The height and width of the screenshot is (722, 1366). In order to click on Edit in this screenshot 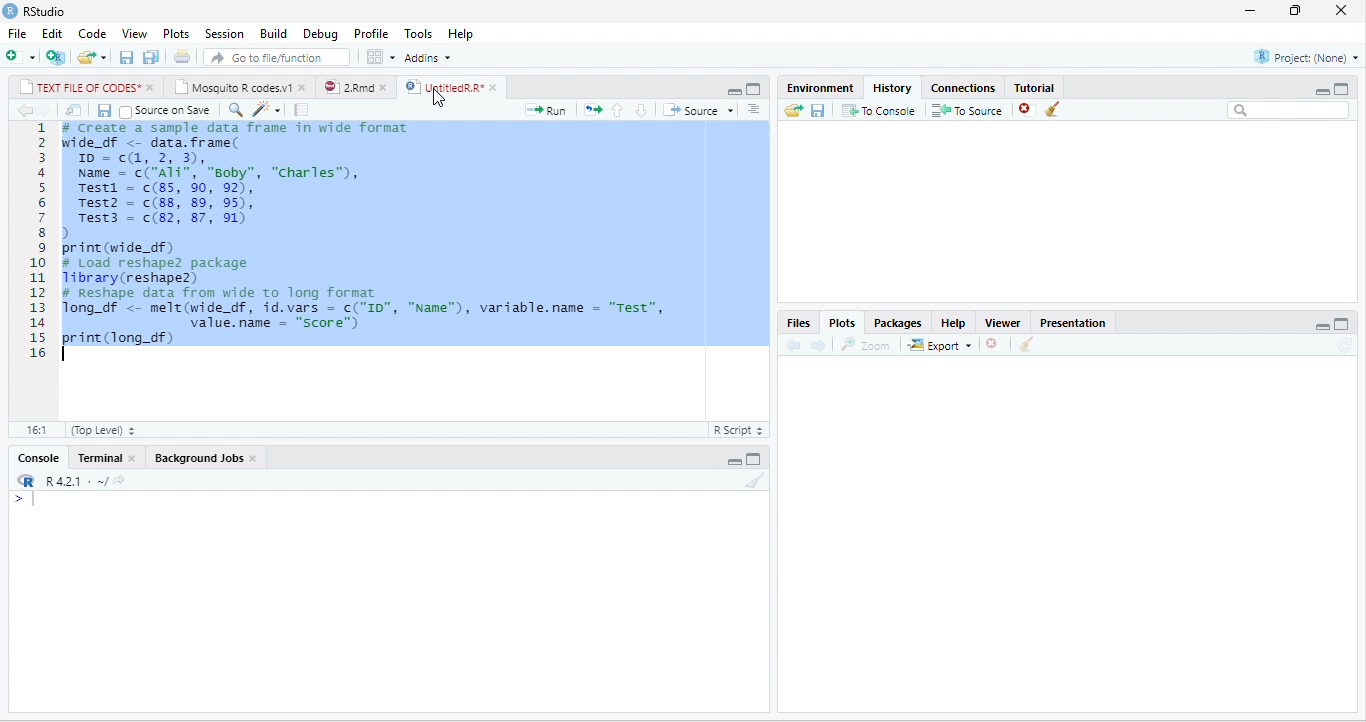, I will do `click(52, 33)`.